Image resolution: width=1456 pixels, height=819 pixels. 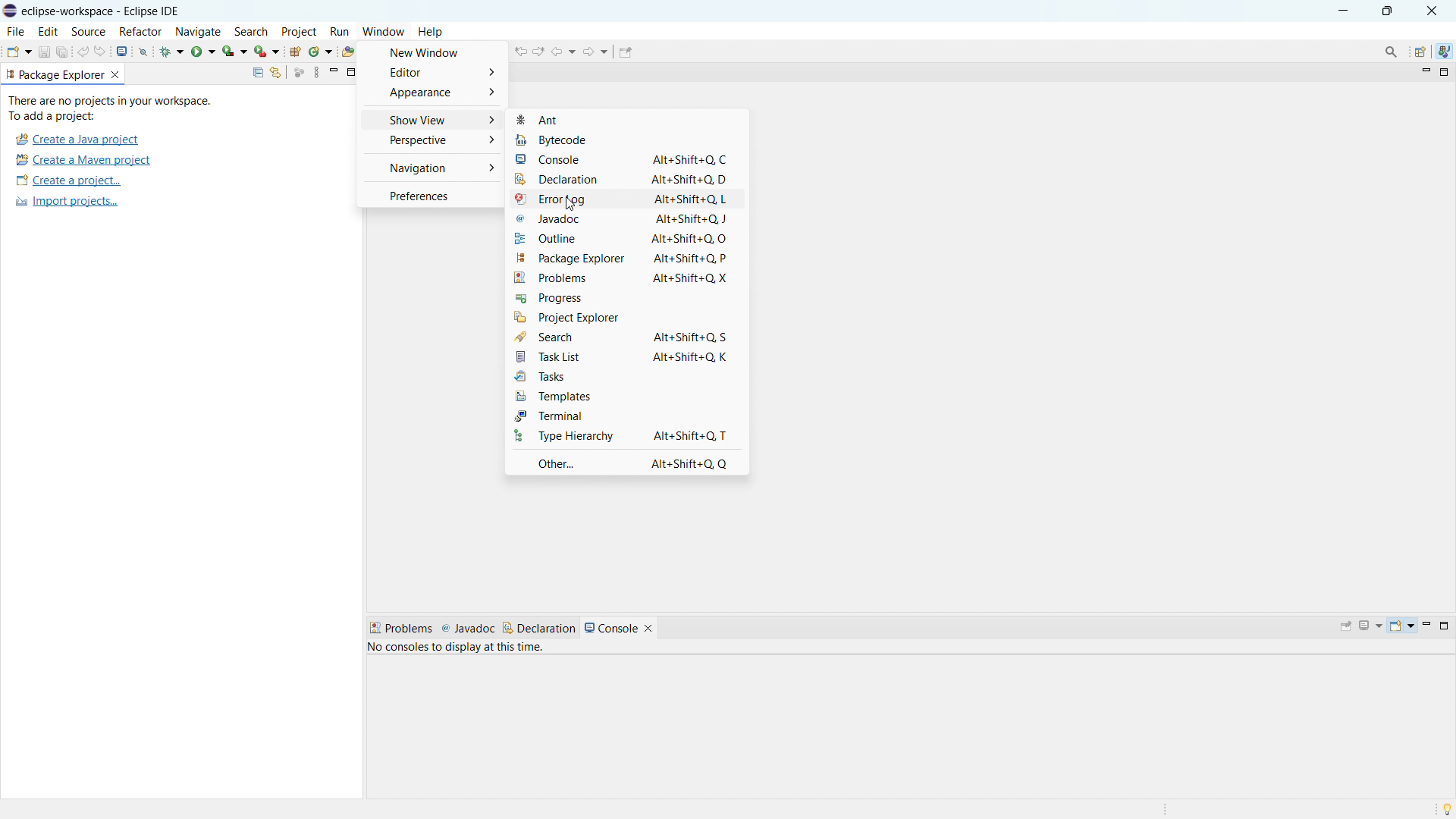 What do you see at coordinates (1341, 10) in the screenshot?
I see `minimise` at bounding box center [1341, 10].